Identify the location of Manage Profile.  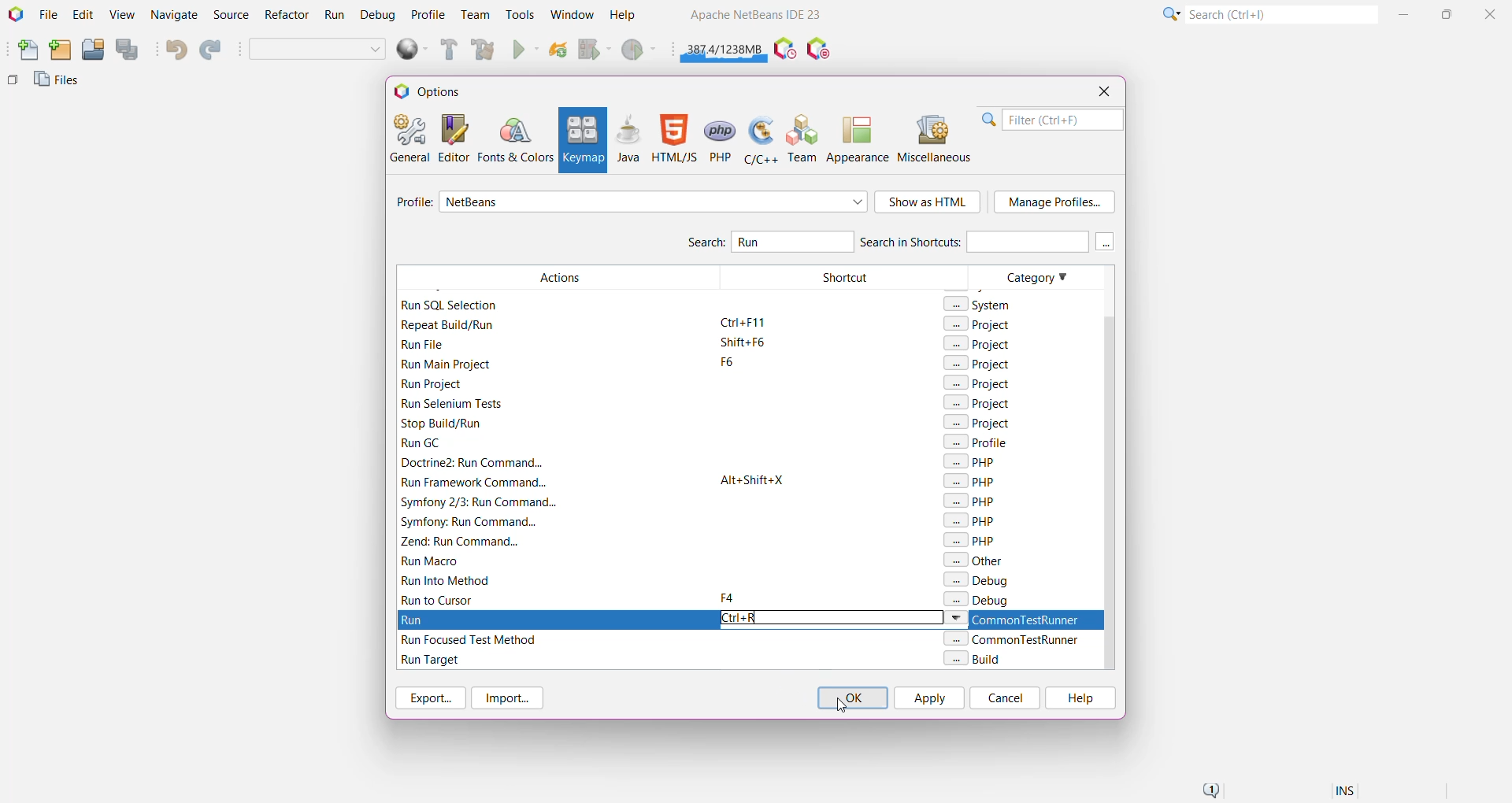
(1054, 202).